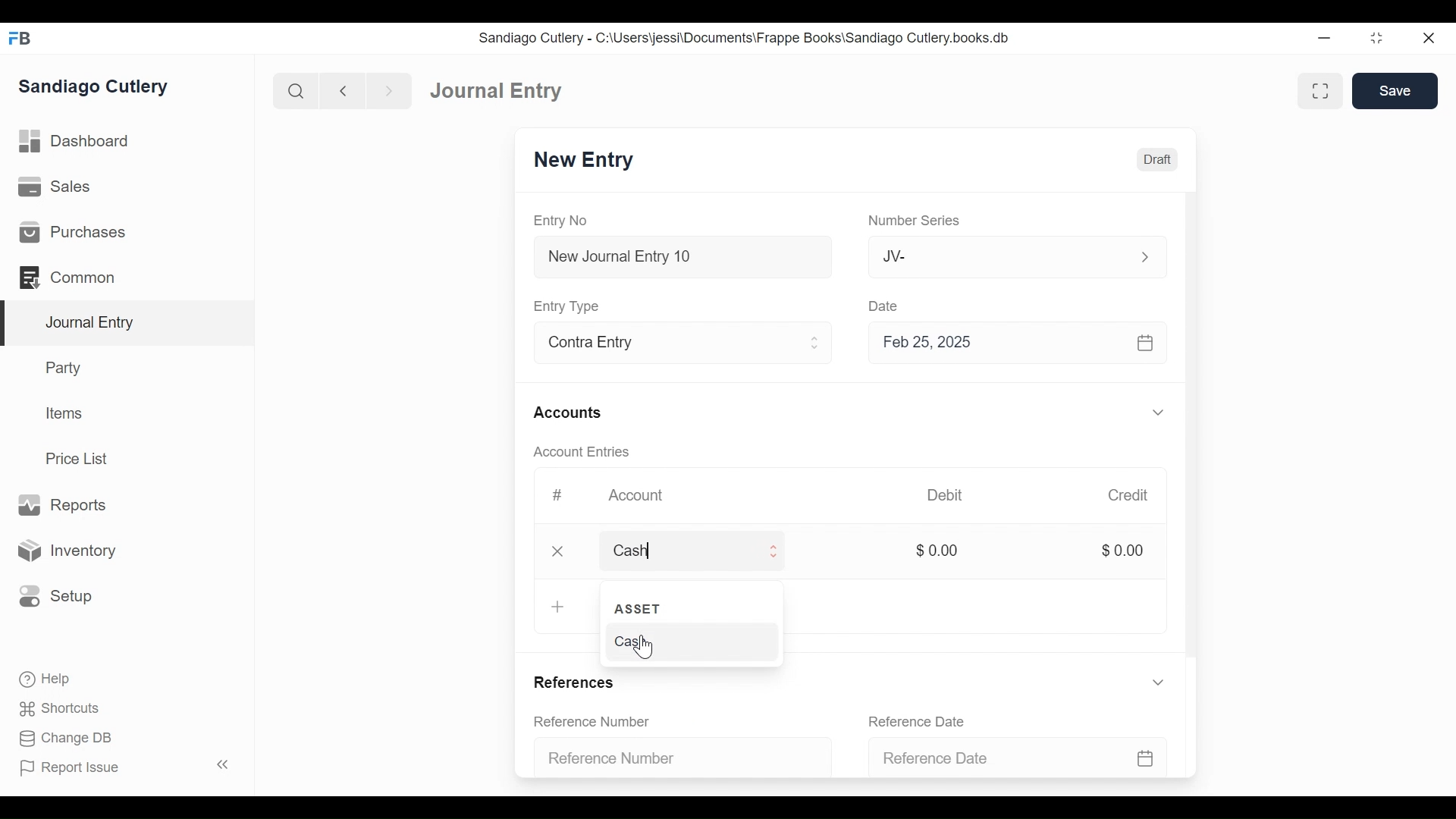 The height and width of the screenshot is (819, 1456). I want to click on Party, so click(61, 368).